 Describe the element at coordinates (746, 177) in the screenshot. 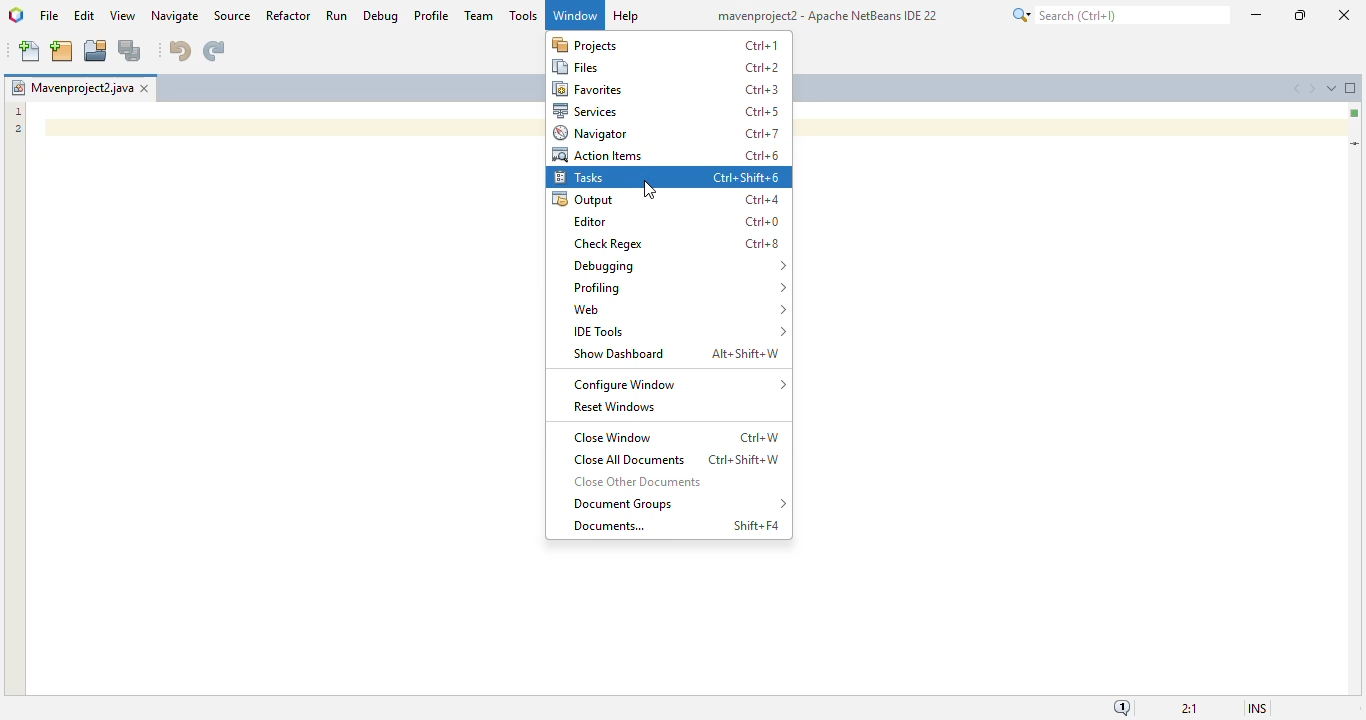

I see `shortcut for tasks` at that location.